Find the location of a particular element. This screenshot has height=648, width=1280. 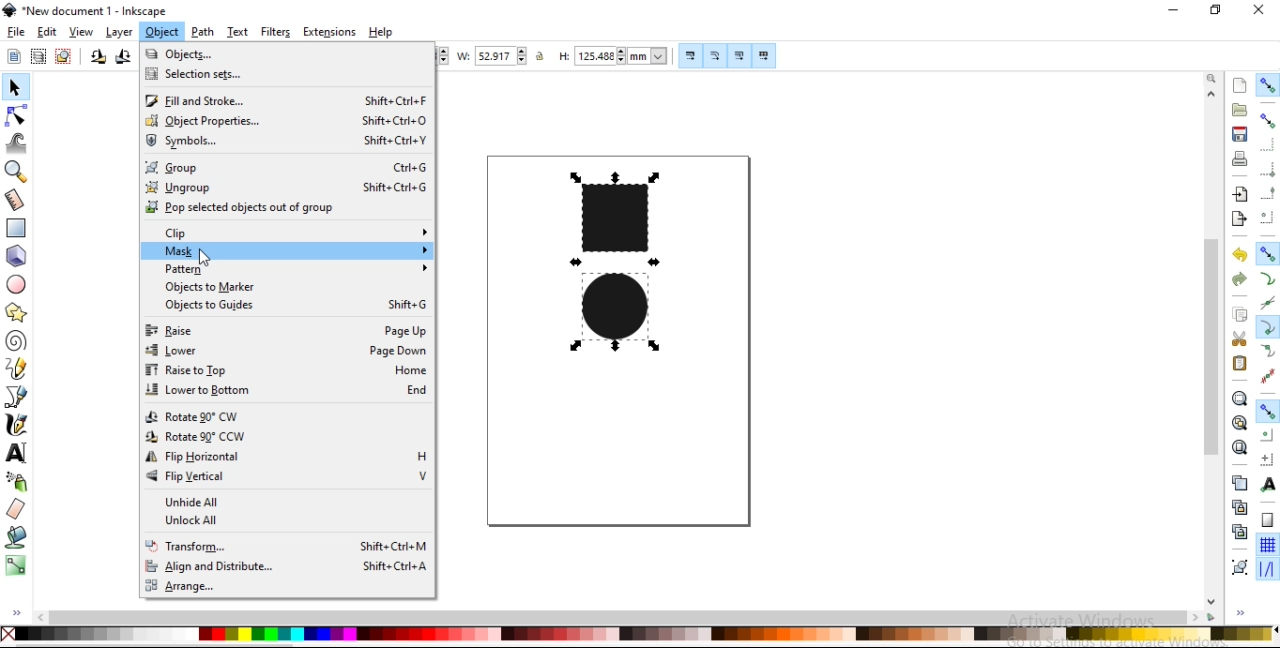

lower is located at coordinates (287, 351).